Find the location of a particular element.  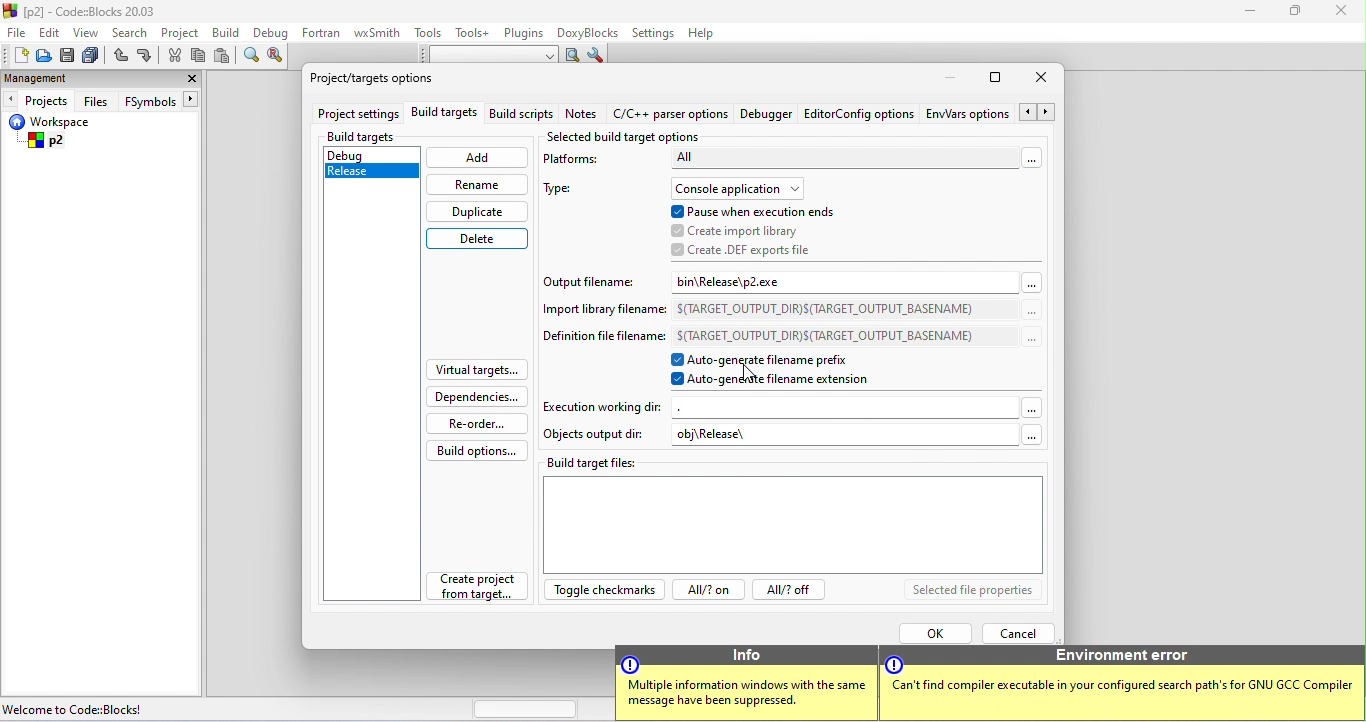

obj\Release\ is located at coordinates (857, 437).